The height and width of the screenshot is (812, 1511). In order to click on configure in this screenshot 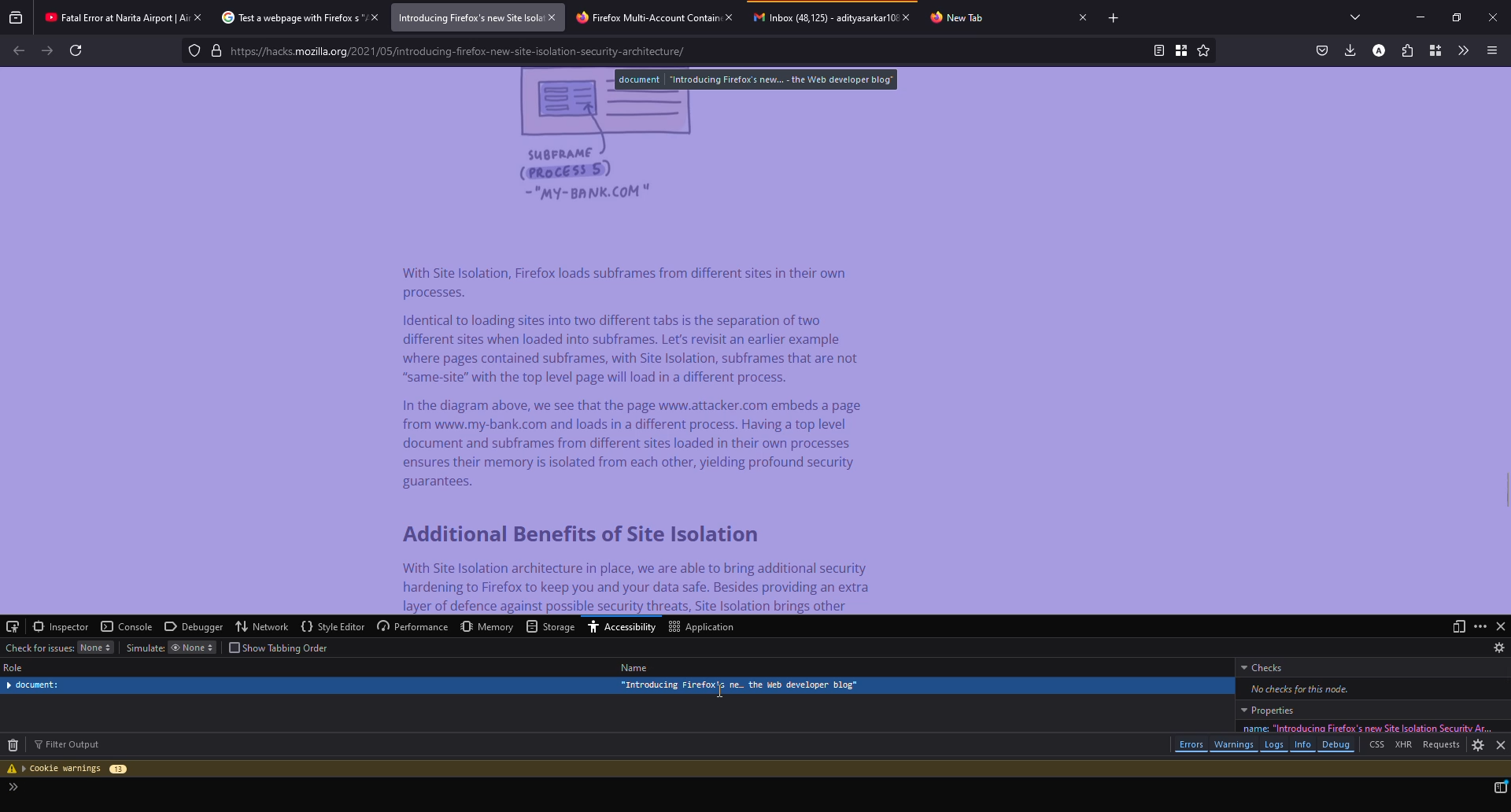, I will do `click(14, 626)`.